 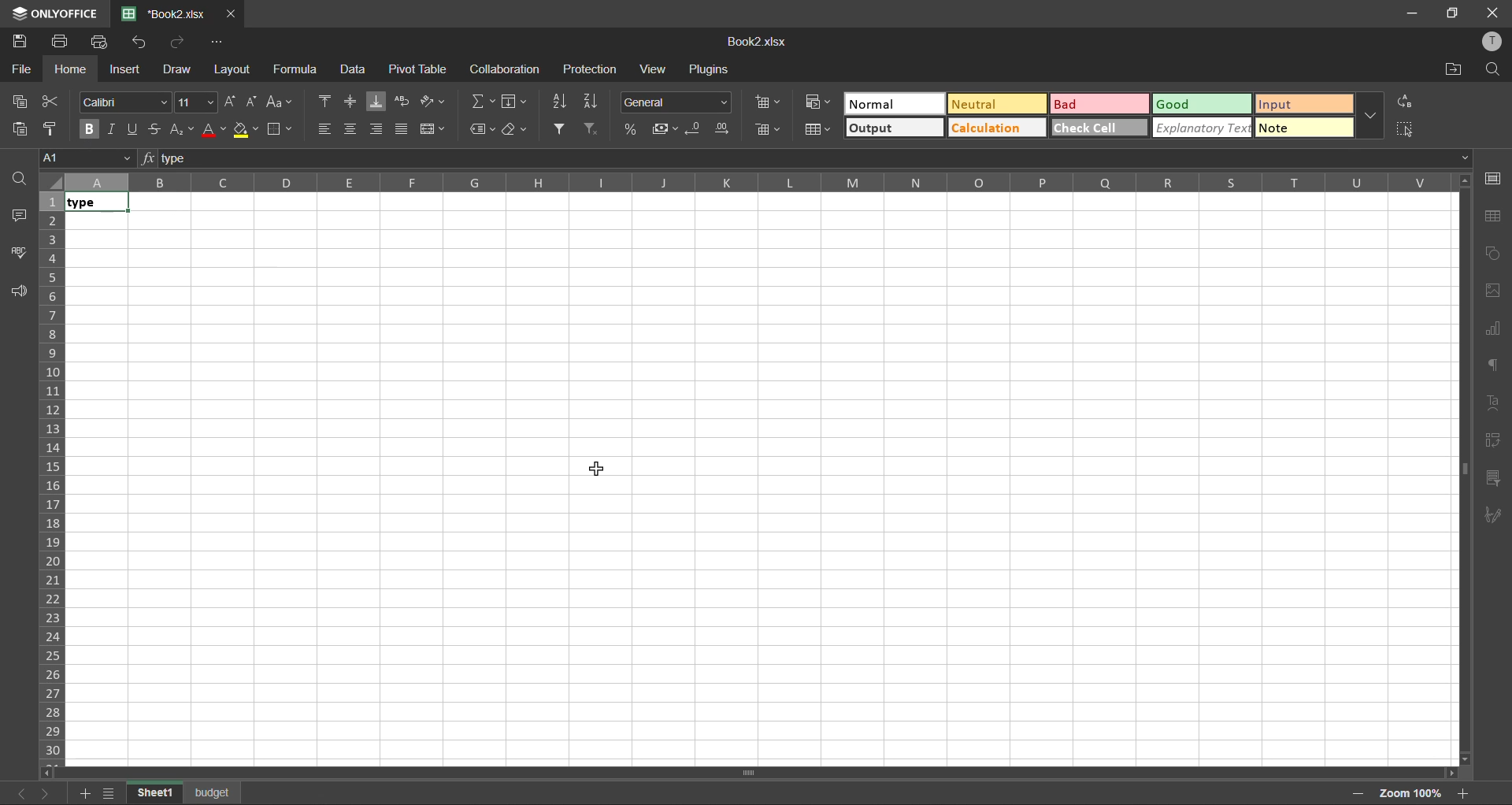 I want to click on align left, so click(x=324, y=129).